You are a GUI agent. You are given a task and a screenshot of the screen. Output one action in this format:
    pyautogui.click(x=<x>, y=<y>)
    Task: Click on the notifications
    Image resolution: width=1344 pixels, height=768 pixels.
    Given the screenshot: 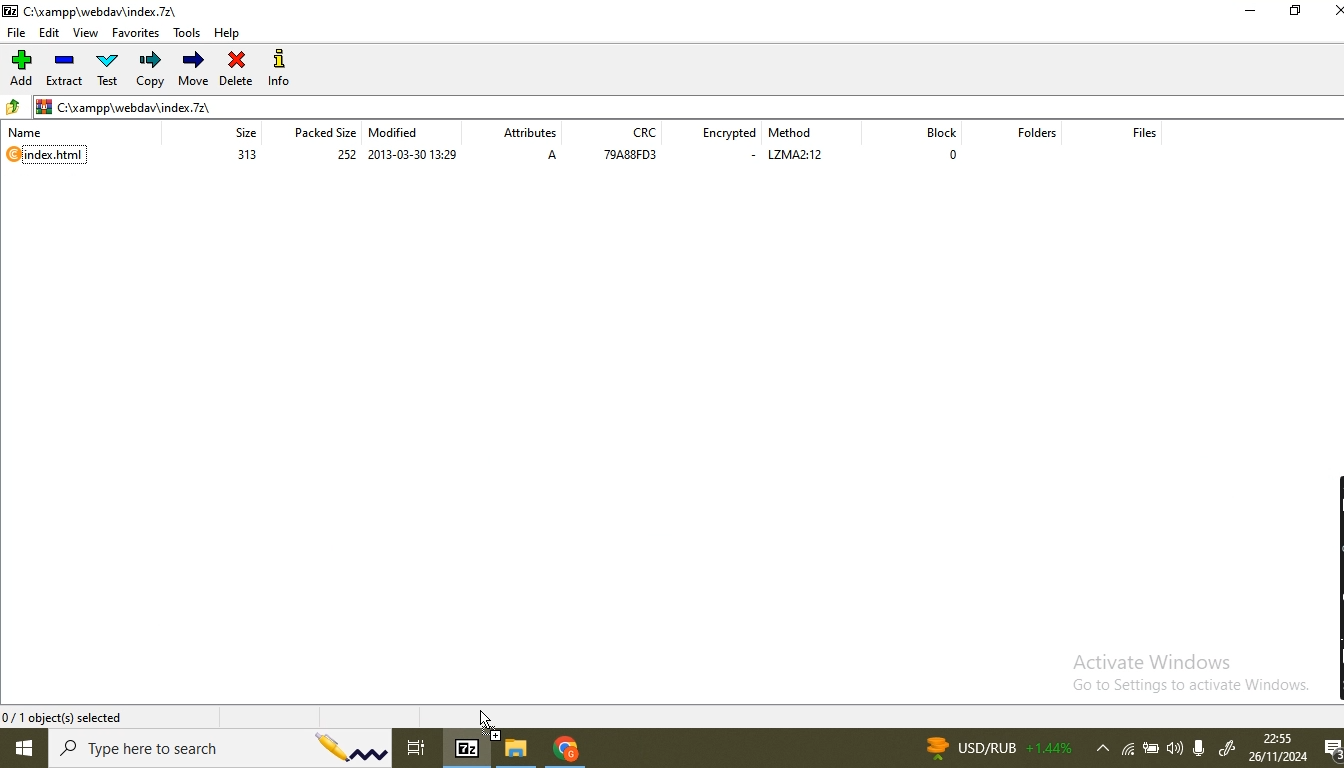 What is the action you would take?
    pyautogui.click(x=1330, y=750)
    